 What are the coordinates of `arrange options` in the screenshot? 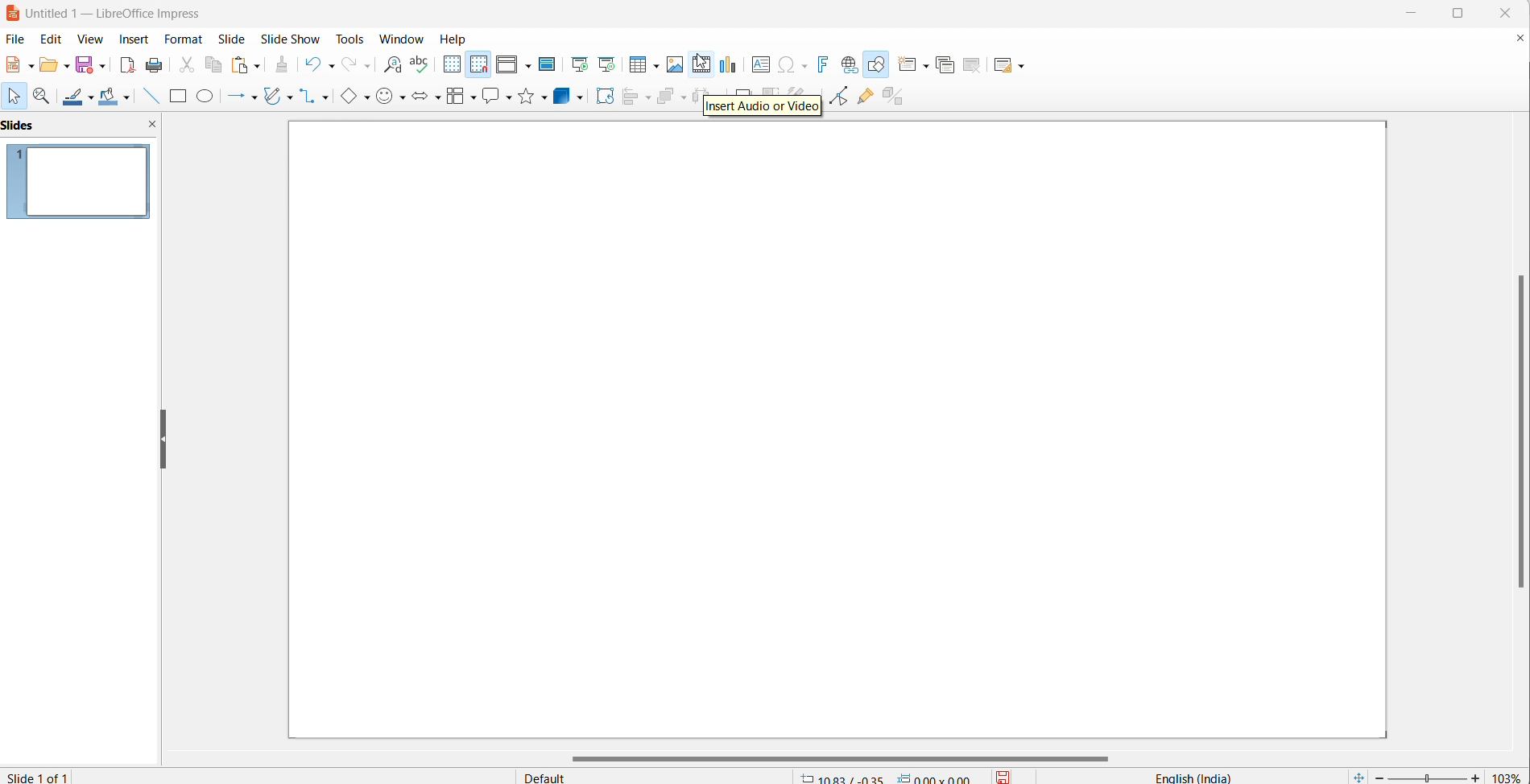 It's located at (684, 104).